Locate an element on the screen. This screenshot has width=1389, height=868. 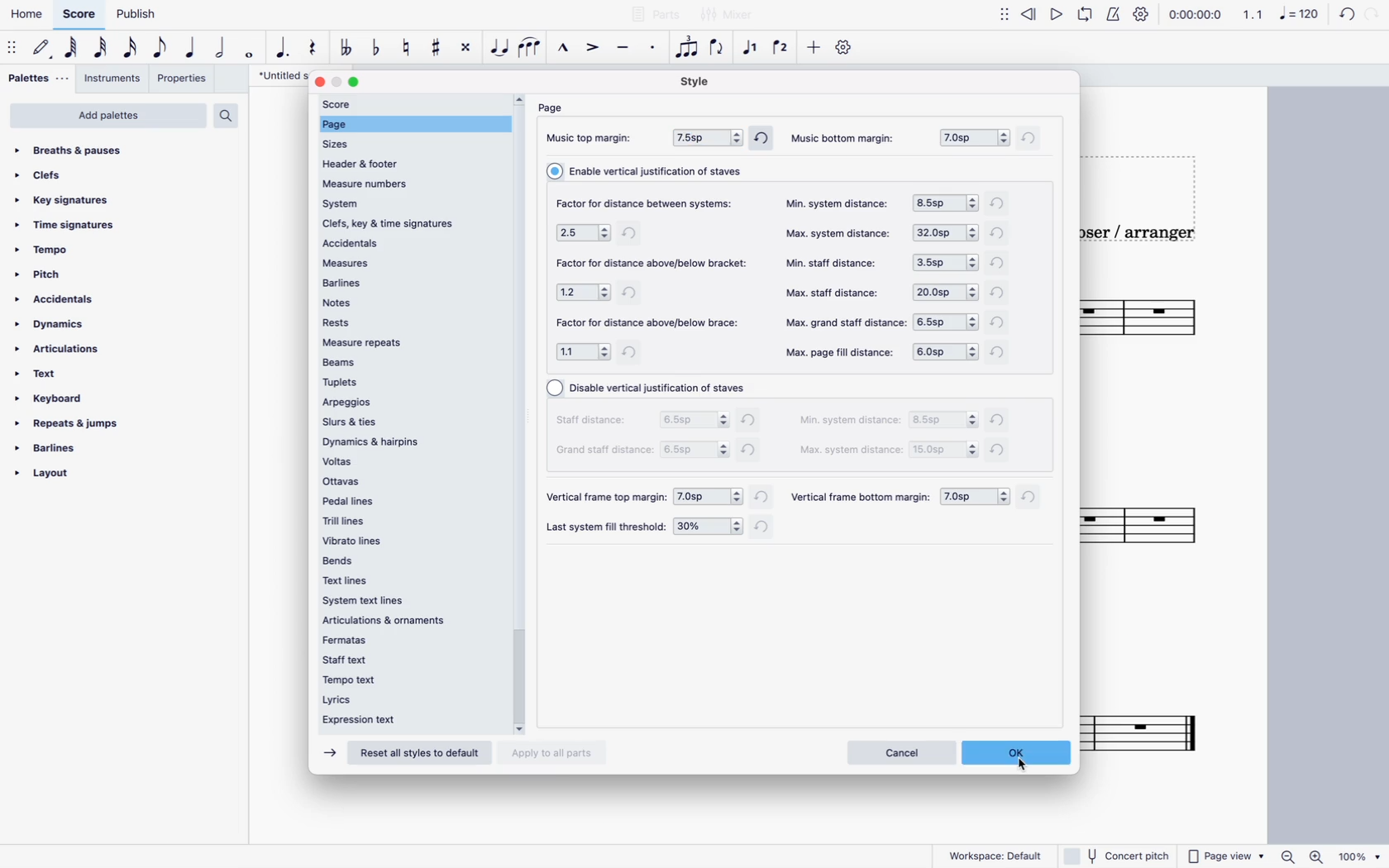
options is located at coordinates (585, 232).